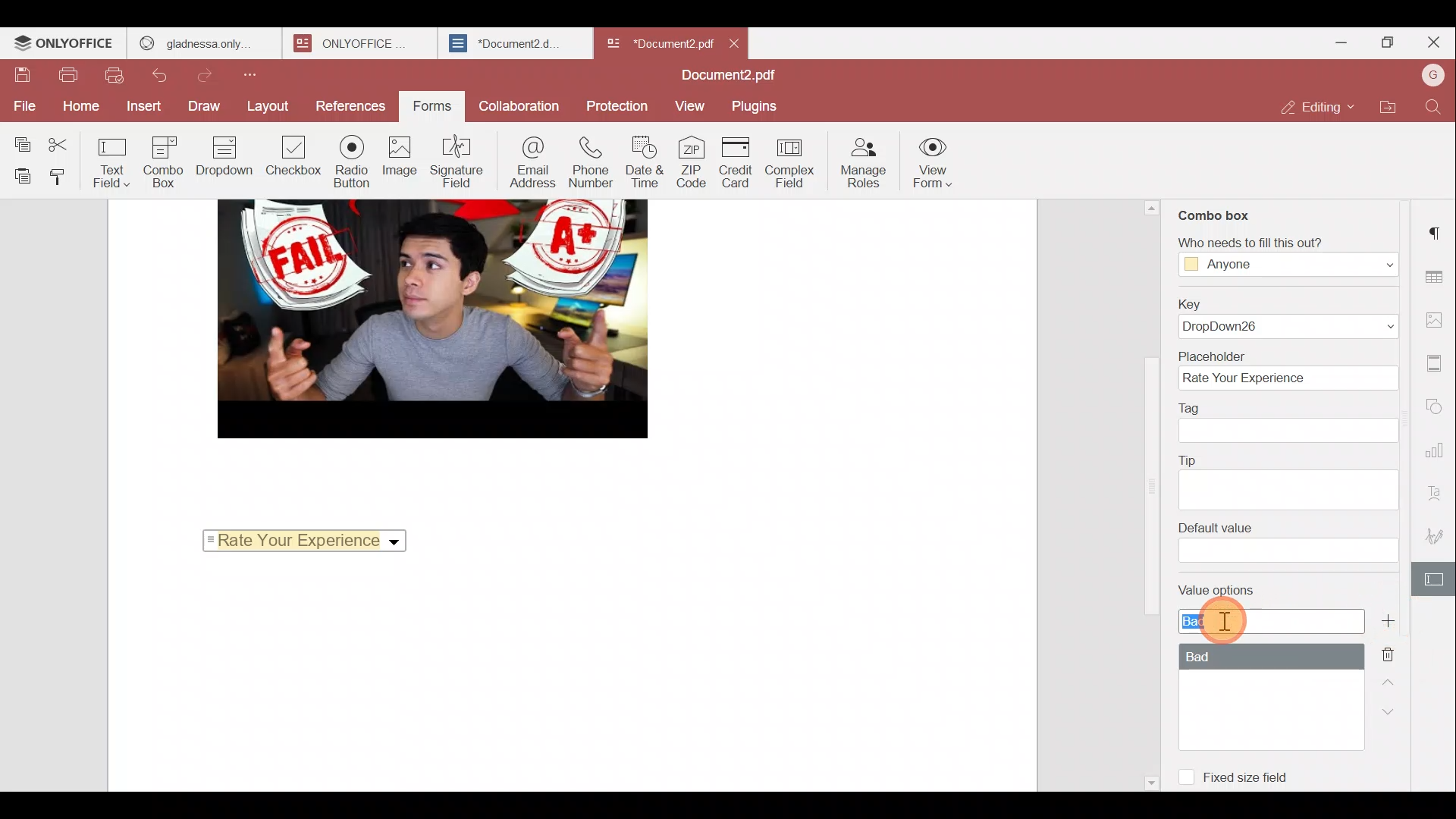  I want to click on gladnessa only., so click(196, 41).